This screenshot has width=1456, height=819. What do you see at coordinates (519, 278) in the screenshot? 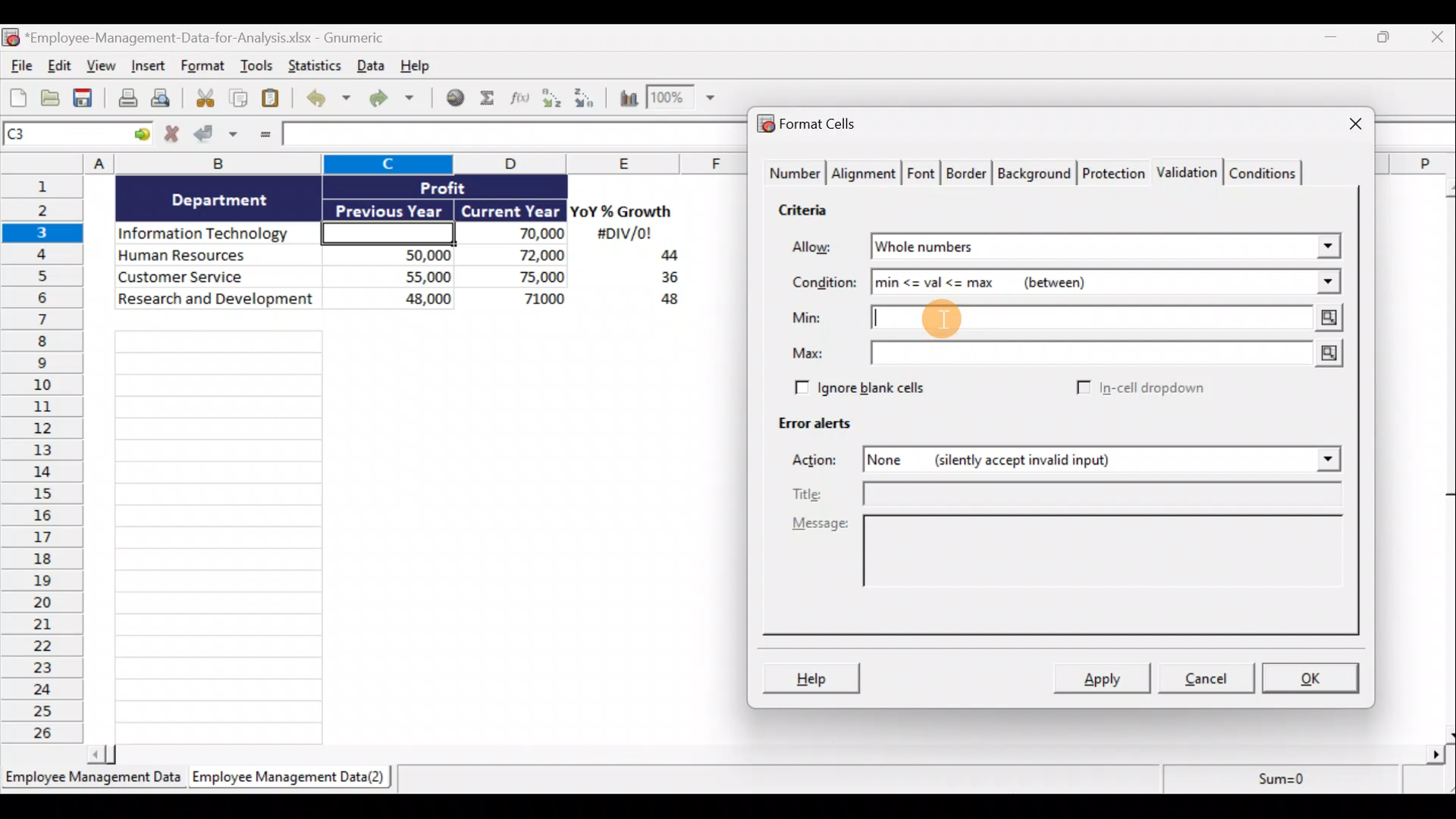
I see `75,000` at bounding box center [519, 278].